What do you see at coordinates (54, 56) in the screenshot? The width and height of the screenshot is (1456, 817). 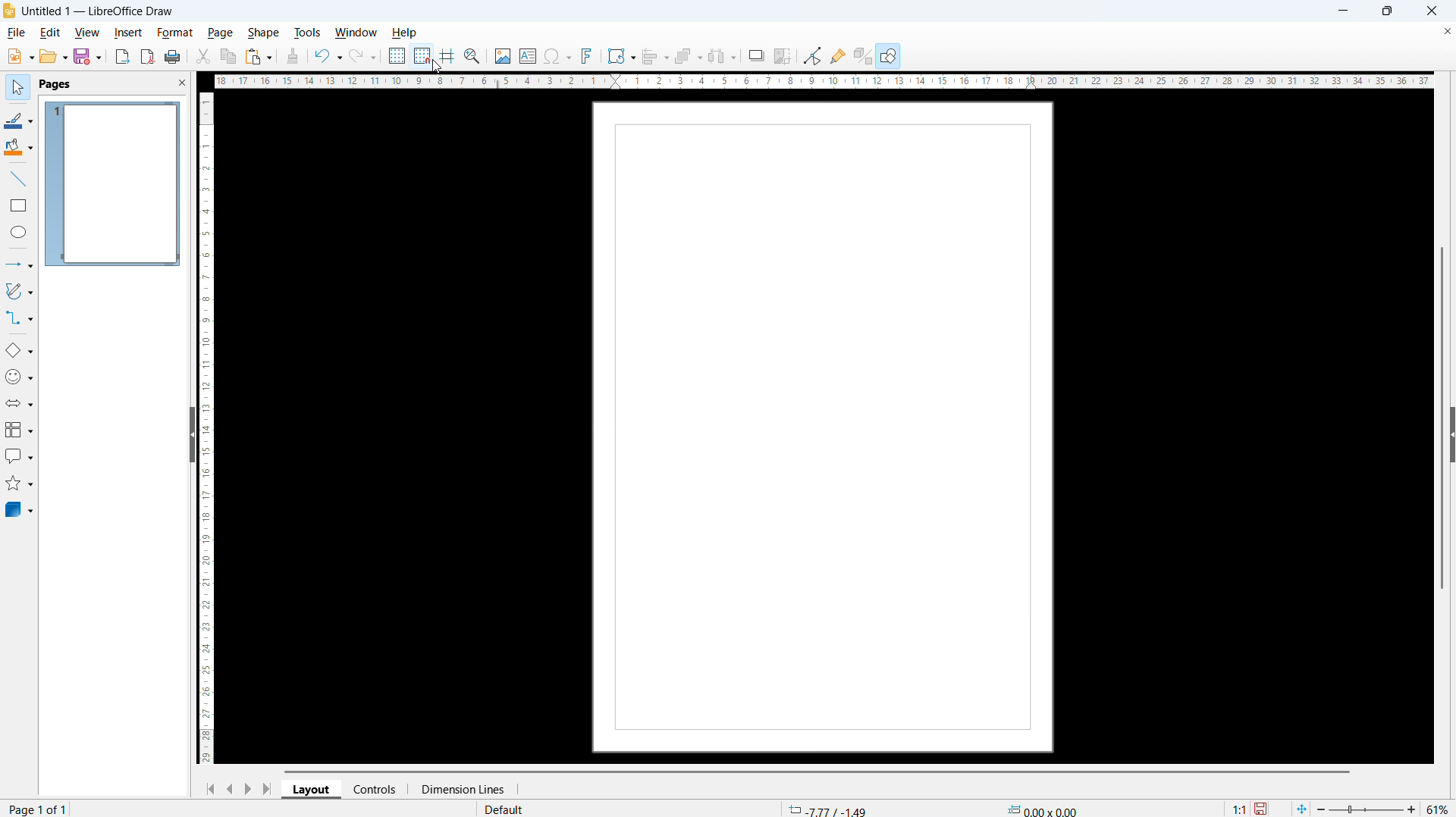 I see `open ` at bounding box center [54, 56].